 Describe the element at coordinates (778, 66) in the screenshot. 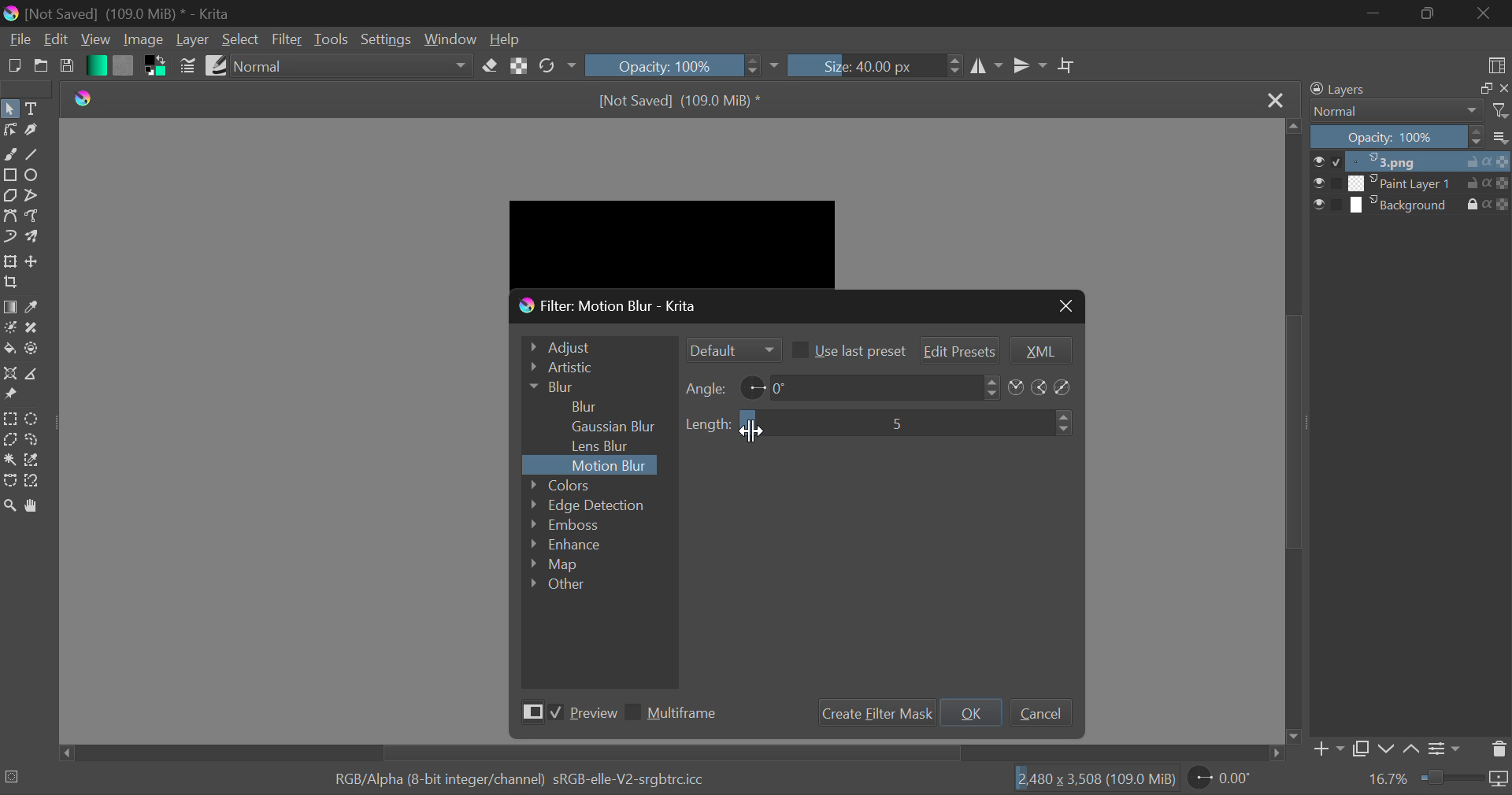

I see `dropdown` at that location.